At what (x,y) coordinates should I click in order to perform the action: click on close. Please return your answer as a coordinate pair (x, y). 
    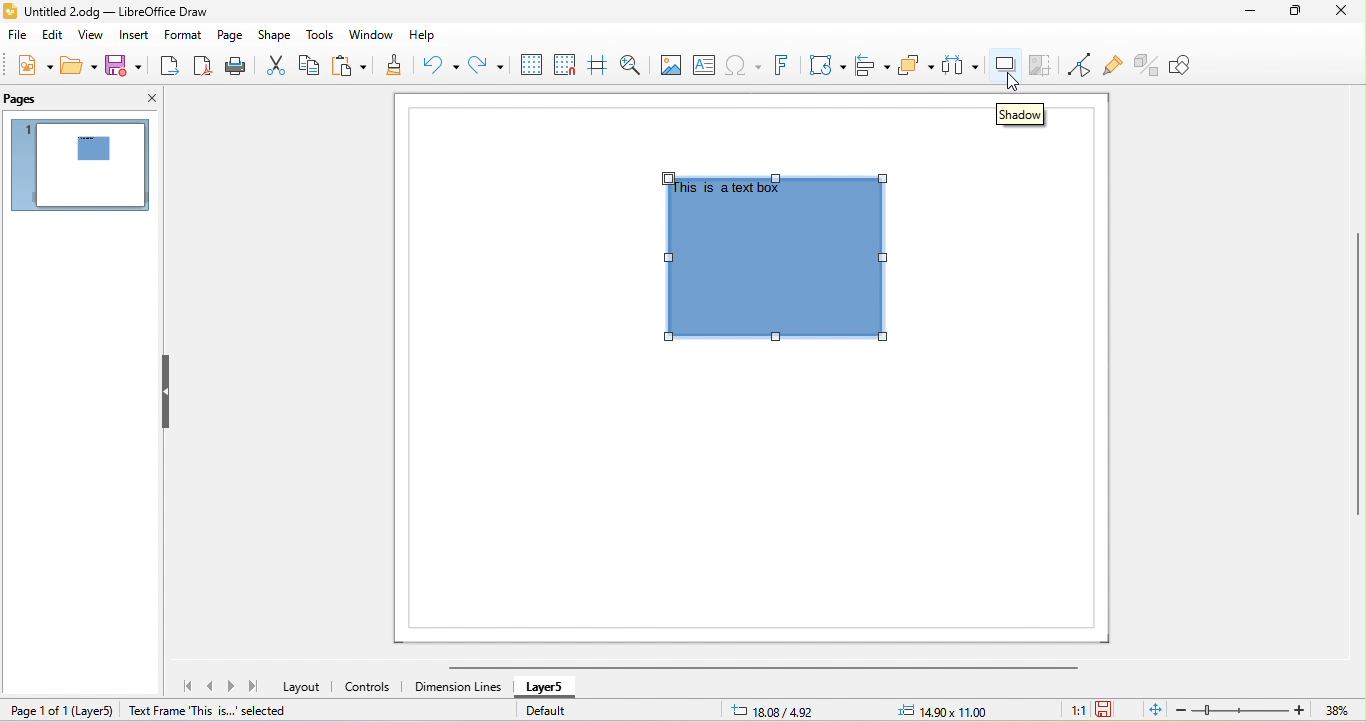
    Looking at the image, I should click on (143, 96).